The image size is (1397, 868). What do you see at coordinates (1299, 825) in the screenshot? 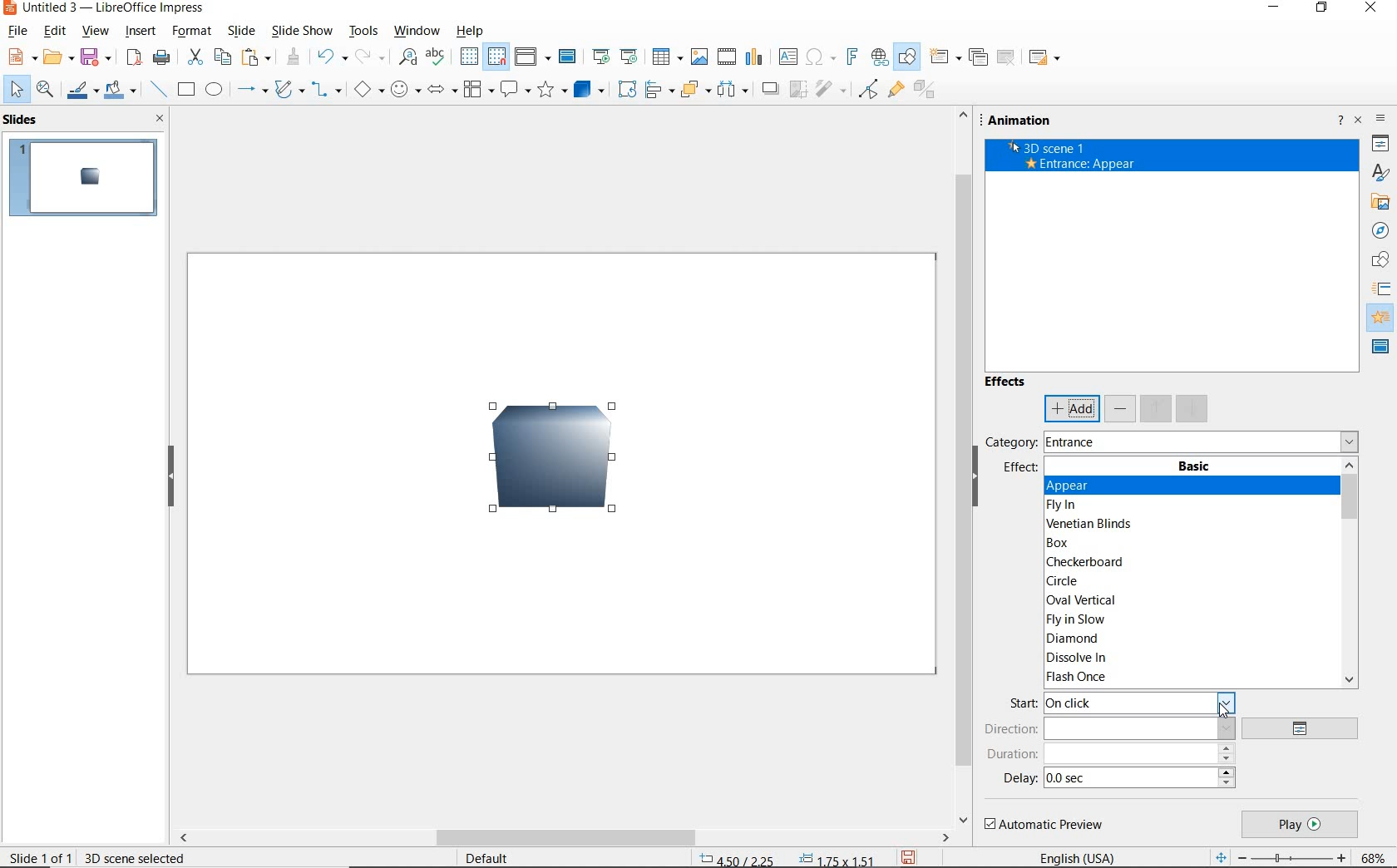
I see `play` at bounding box center [1299, 825].